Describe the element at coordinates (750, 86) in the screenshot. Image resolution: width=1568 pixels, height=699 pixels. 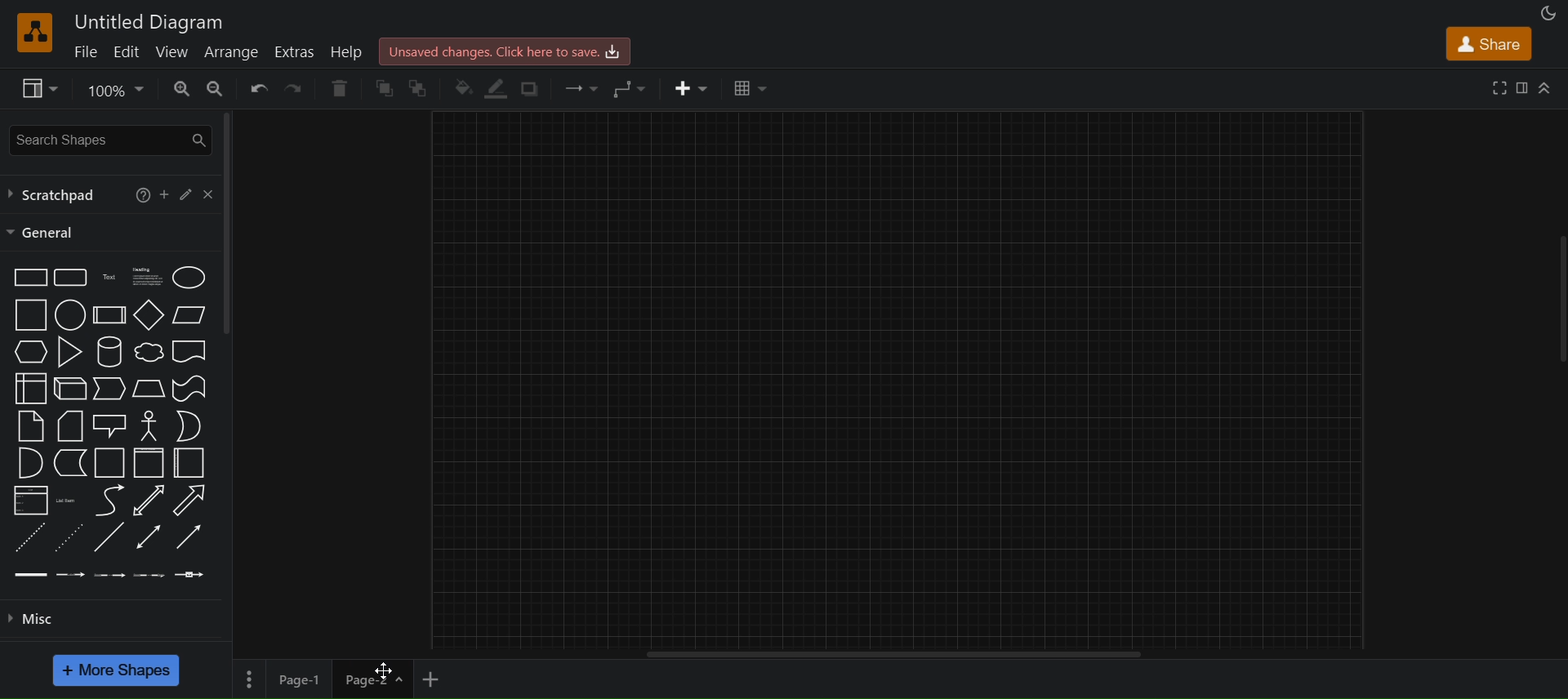
I see `table` at that location.